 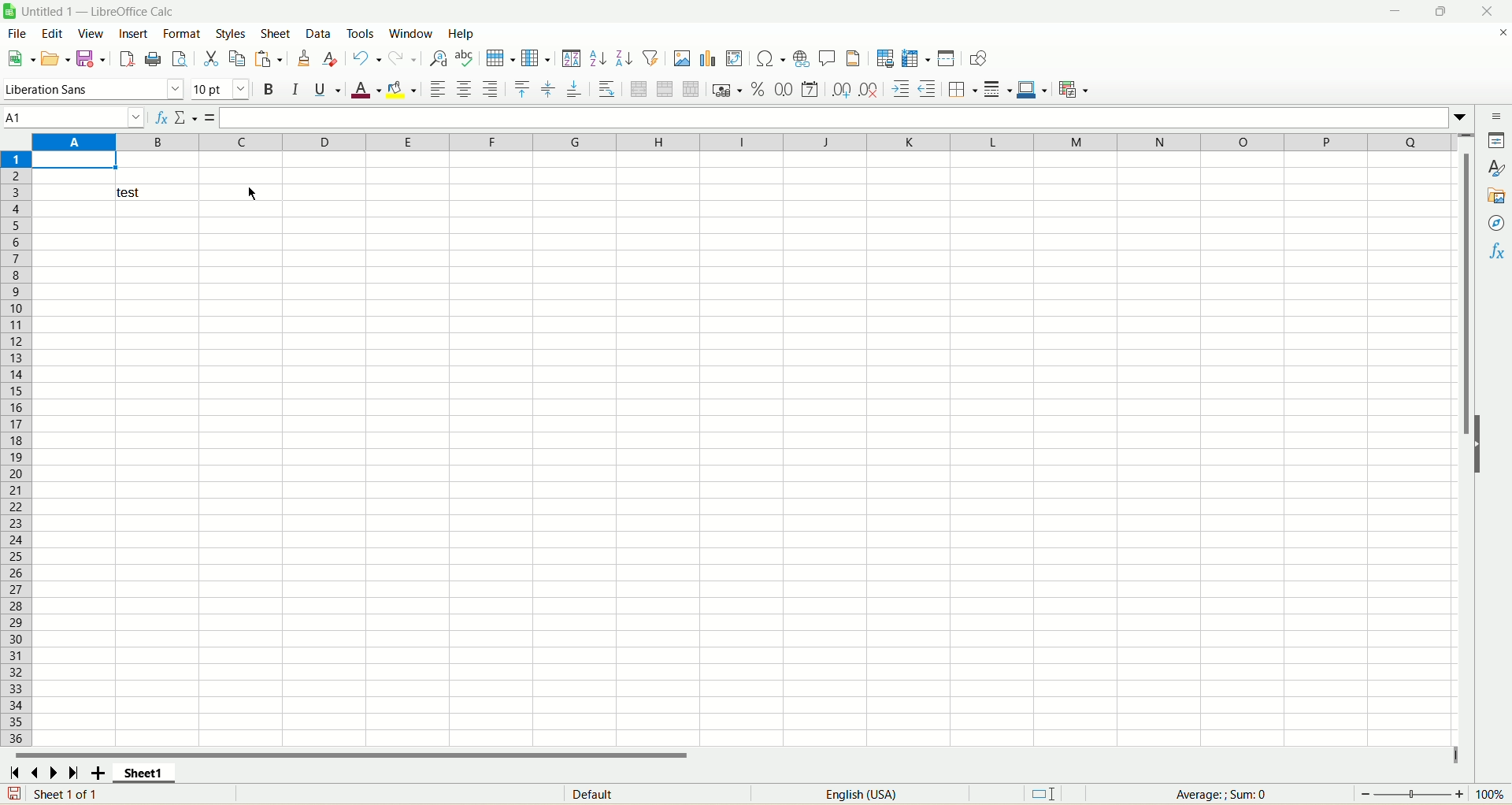 What do you see at coordinates (465, 58) in the screenshot?
I see `spell check` at bounding box center [465, 58].